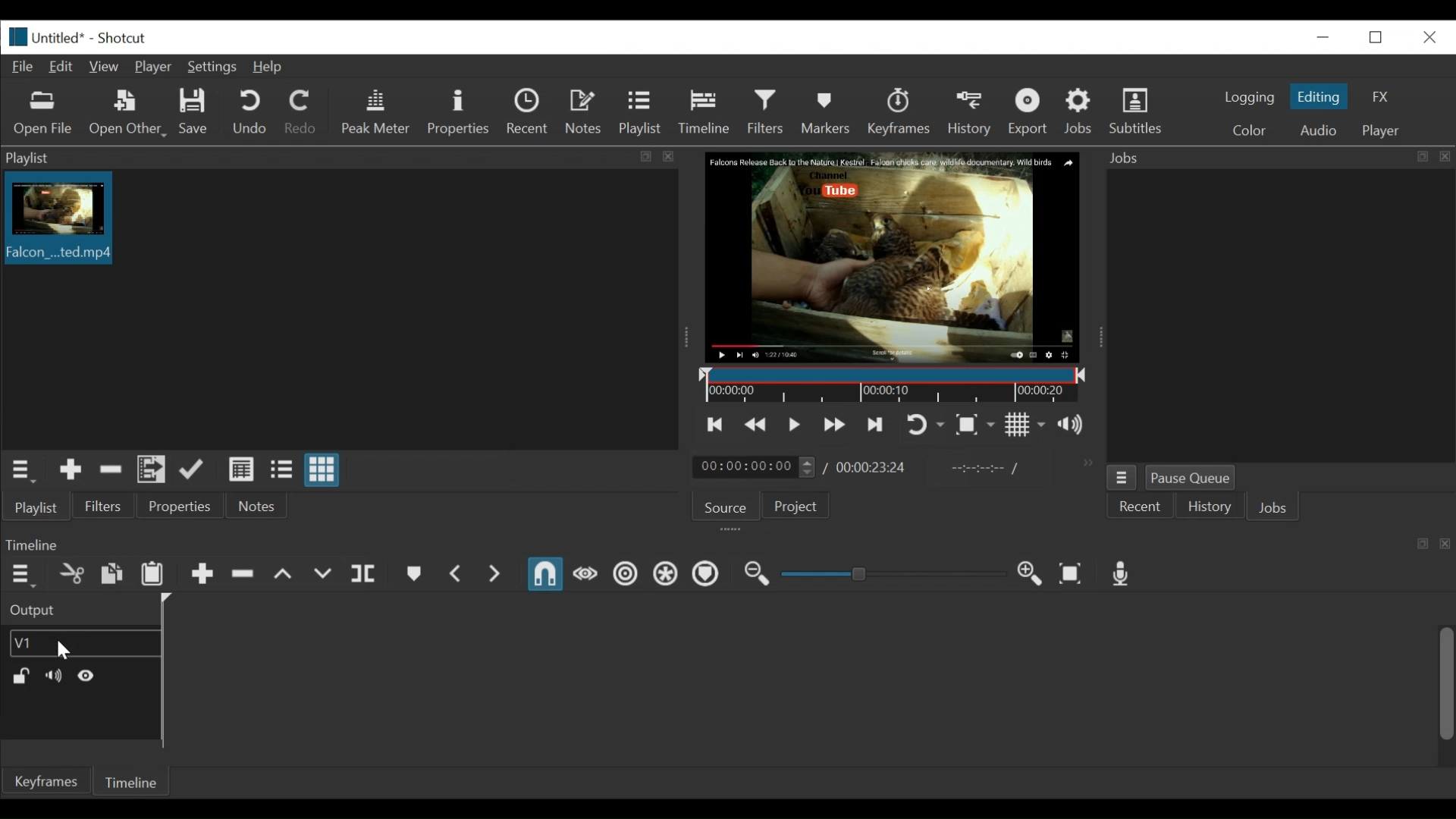  I want to click on Recent, so click(1140, 507).